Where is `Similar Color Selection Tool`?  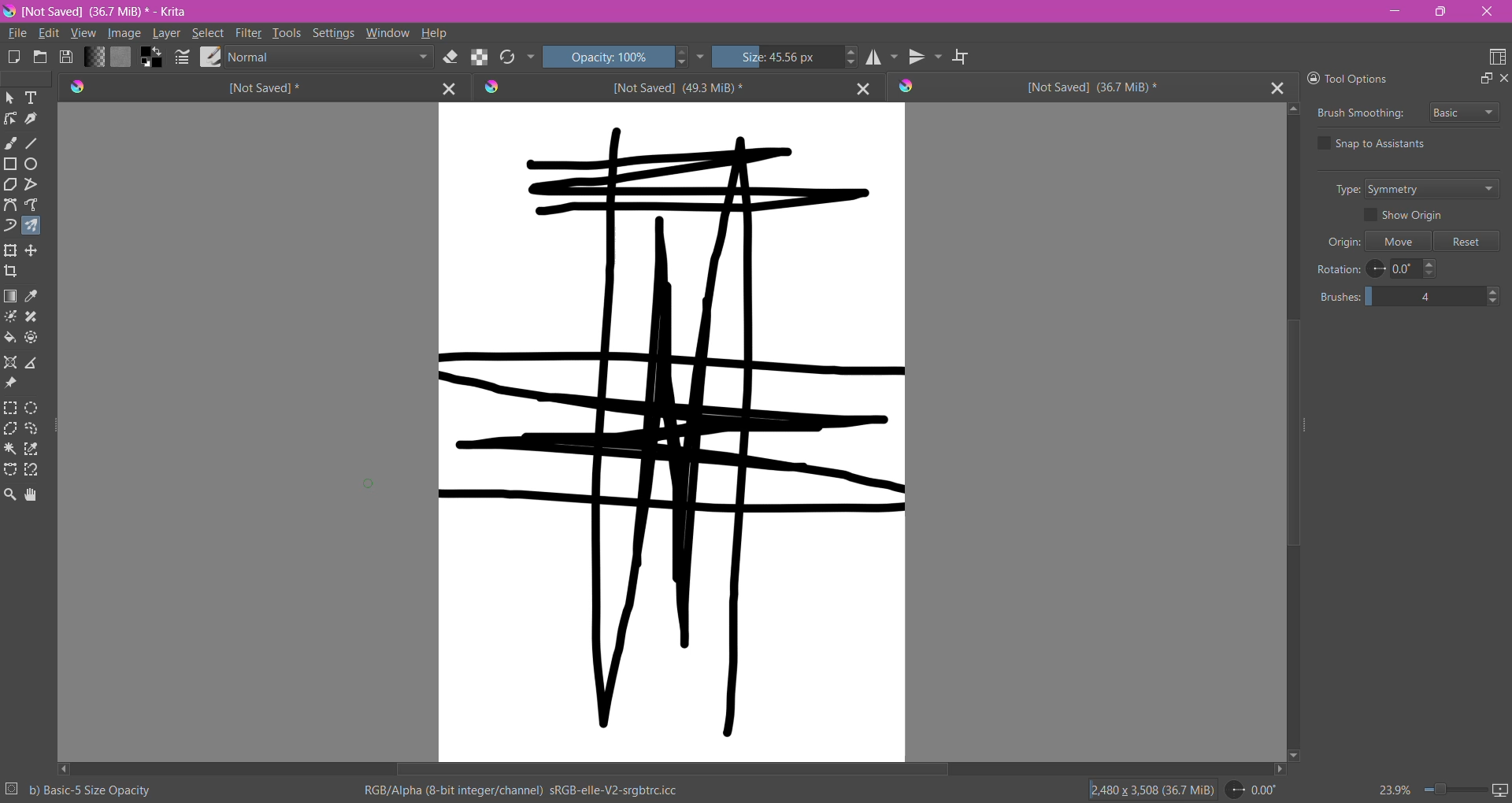 Similar Color Selection Tool is located at coordinates (31, 449).